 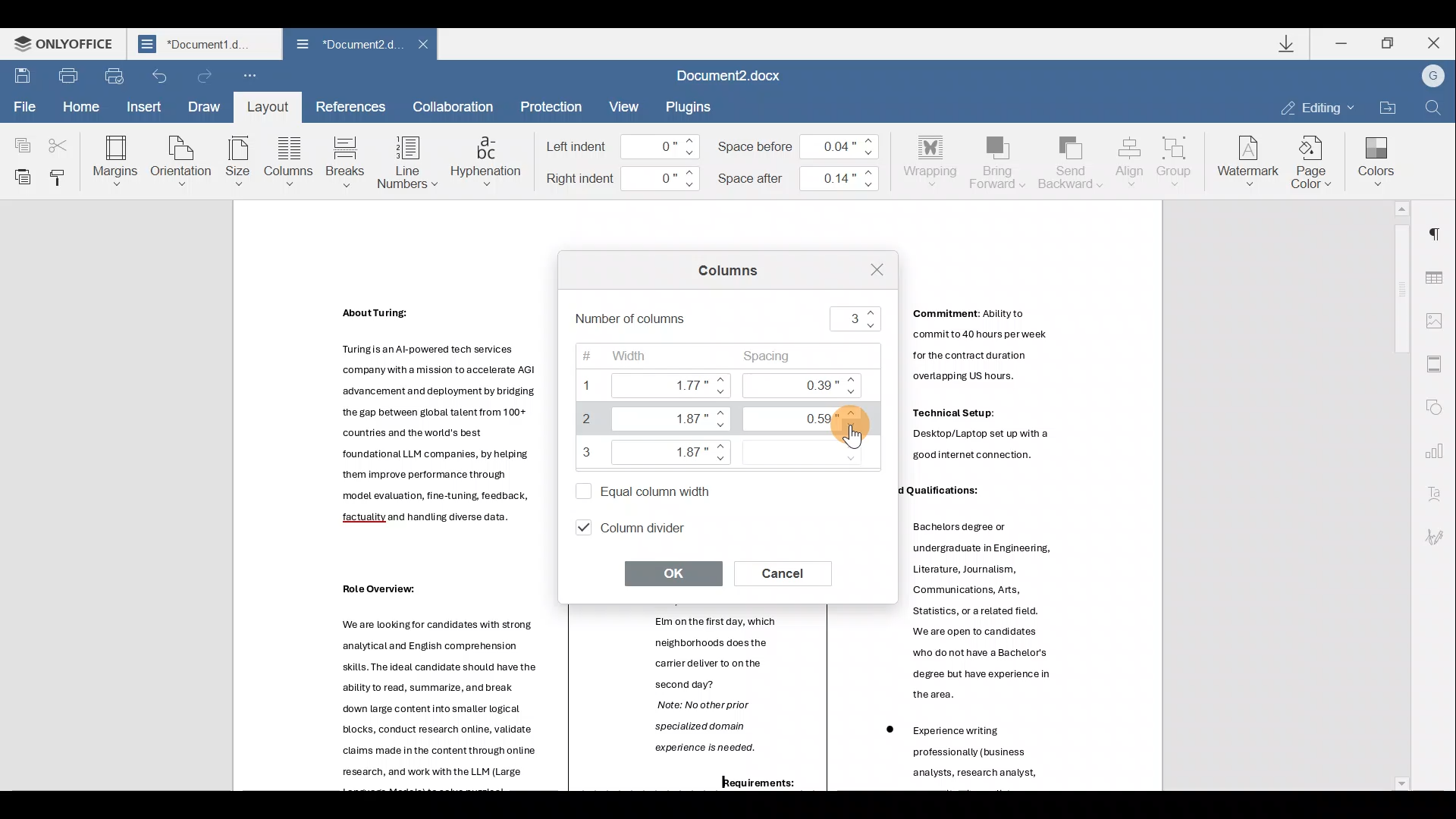 What do you see at coordinates (487, 158) in the screenshot?
I see `Hyphenation` at bounding box center [487, 158].